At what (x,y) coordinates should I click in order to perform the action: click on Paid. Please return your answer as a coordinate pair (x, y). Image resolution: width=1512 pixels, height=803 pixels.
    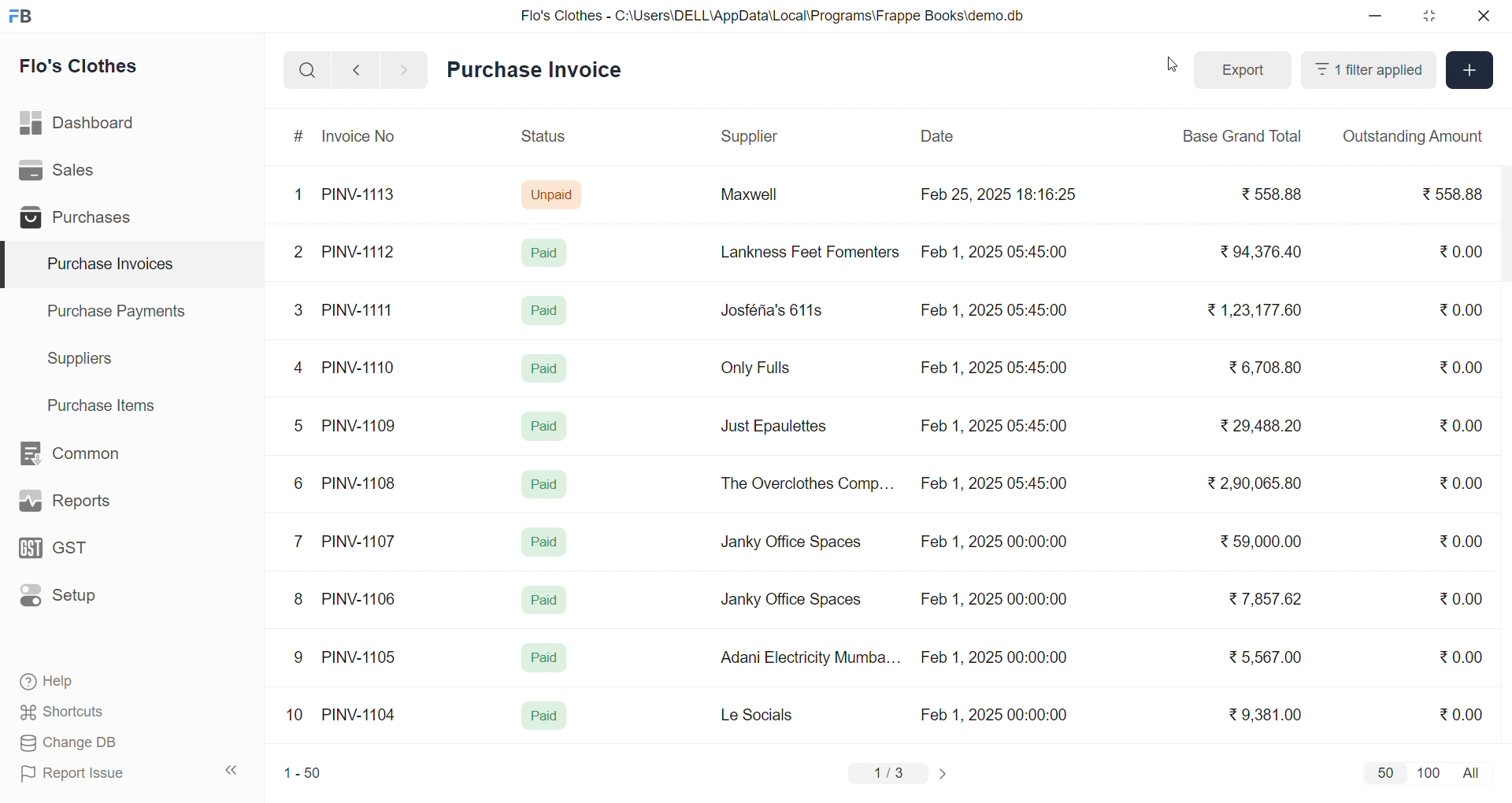
    Looking at the image, I should click on (545, 542).